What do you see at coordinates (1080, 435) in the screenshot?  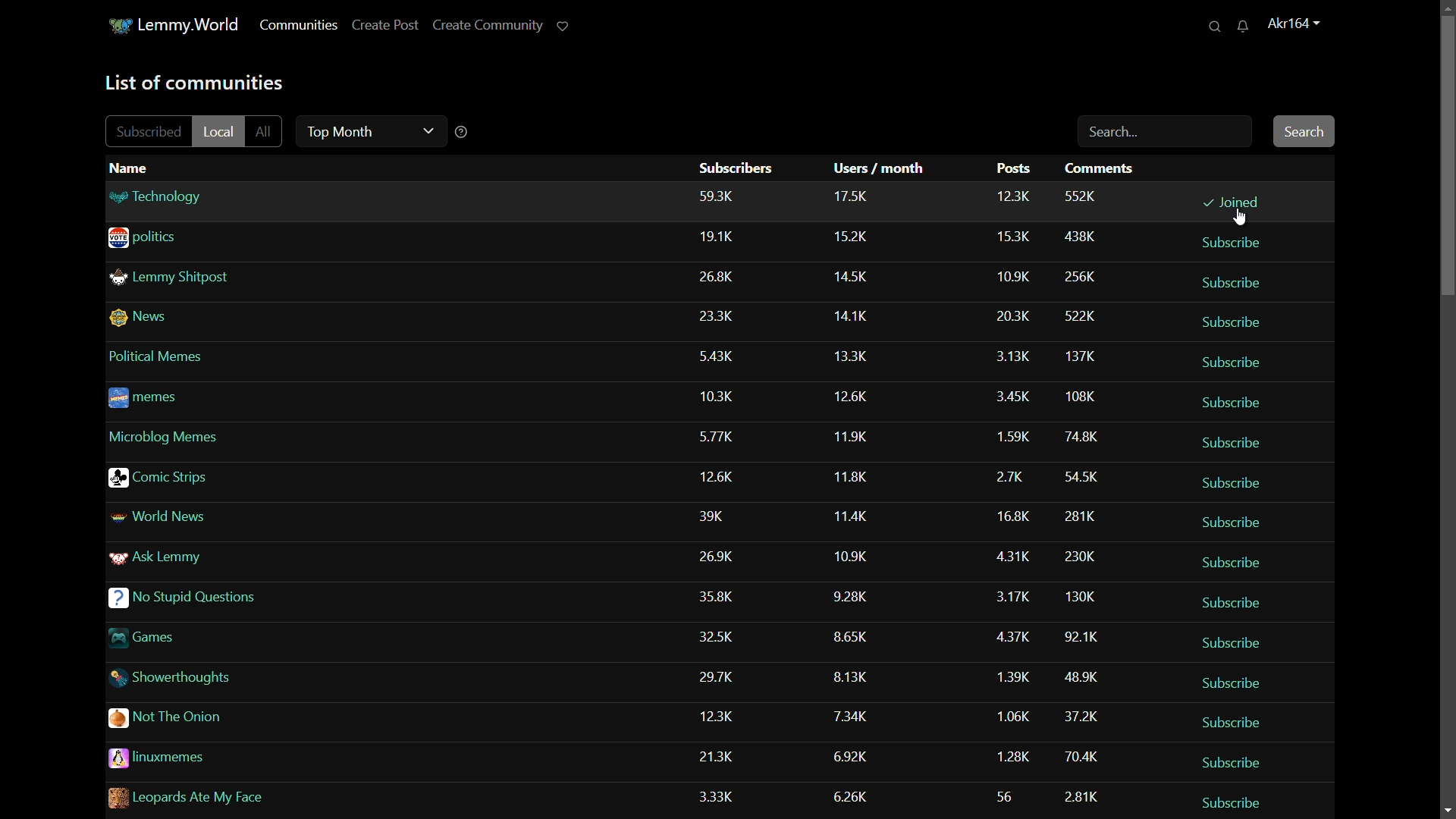 I see `comments` at bounding box center [1080, 435].